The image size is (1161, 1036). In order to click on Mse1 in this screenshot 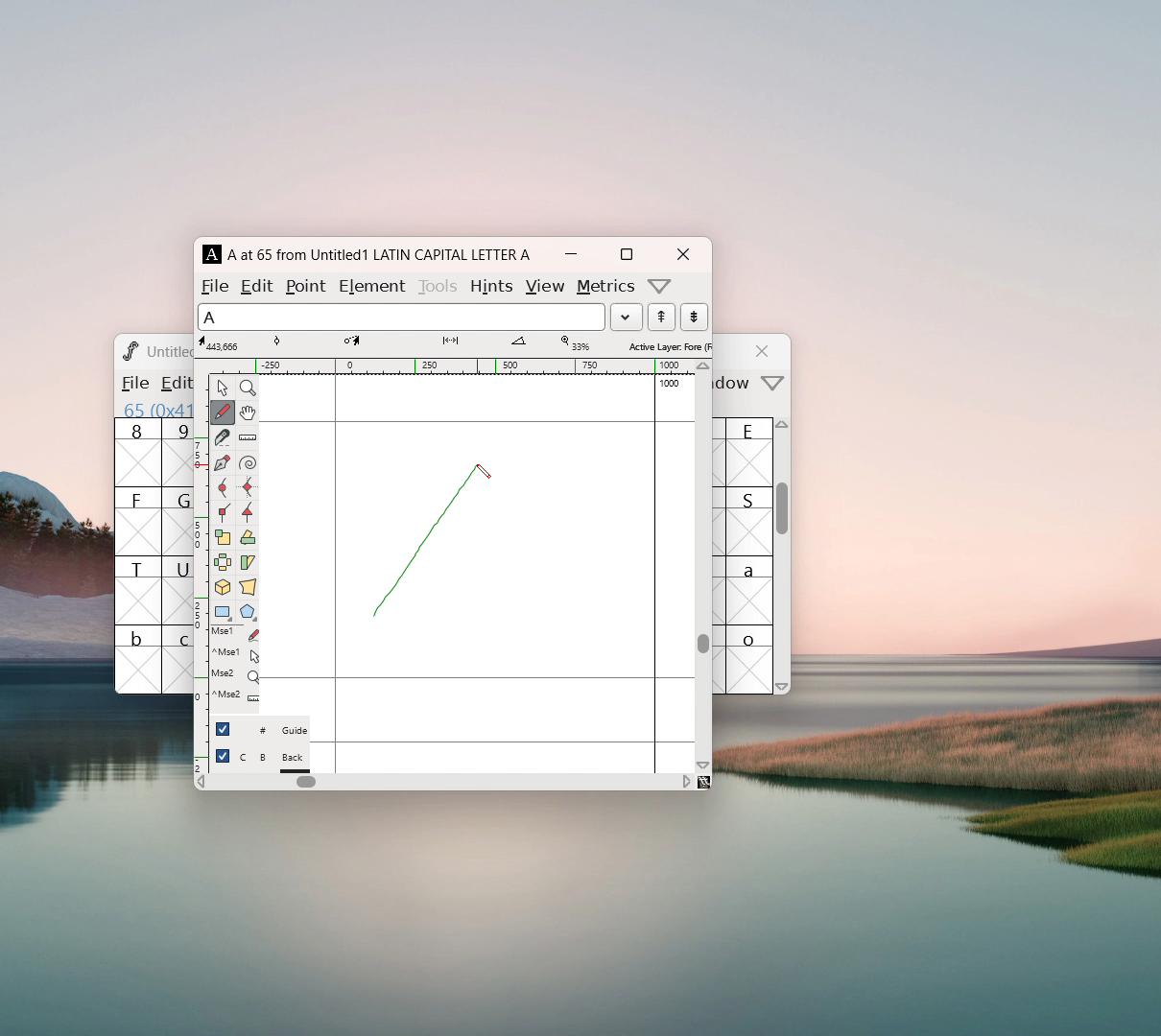, I will do `click(237, 634)`.